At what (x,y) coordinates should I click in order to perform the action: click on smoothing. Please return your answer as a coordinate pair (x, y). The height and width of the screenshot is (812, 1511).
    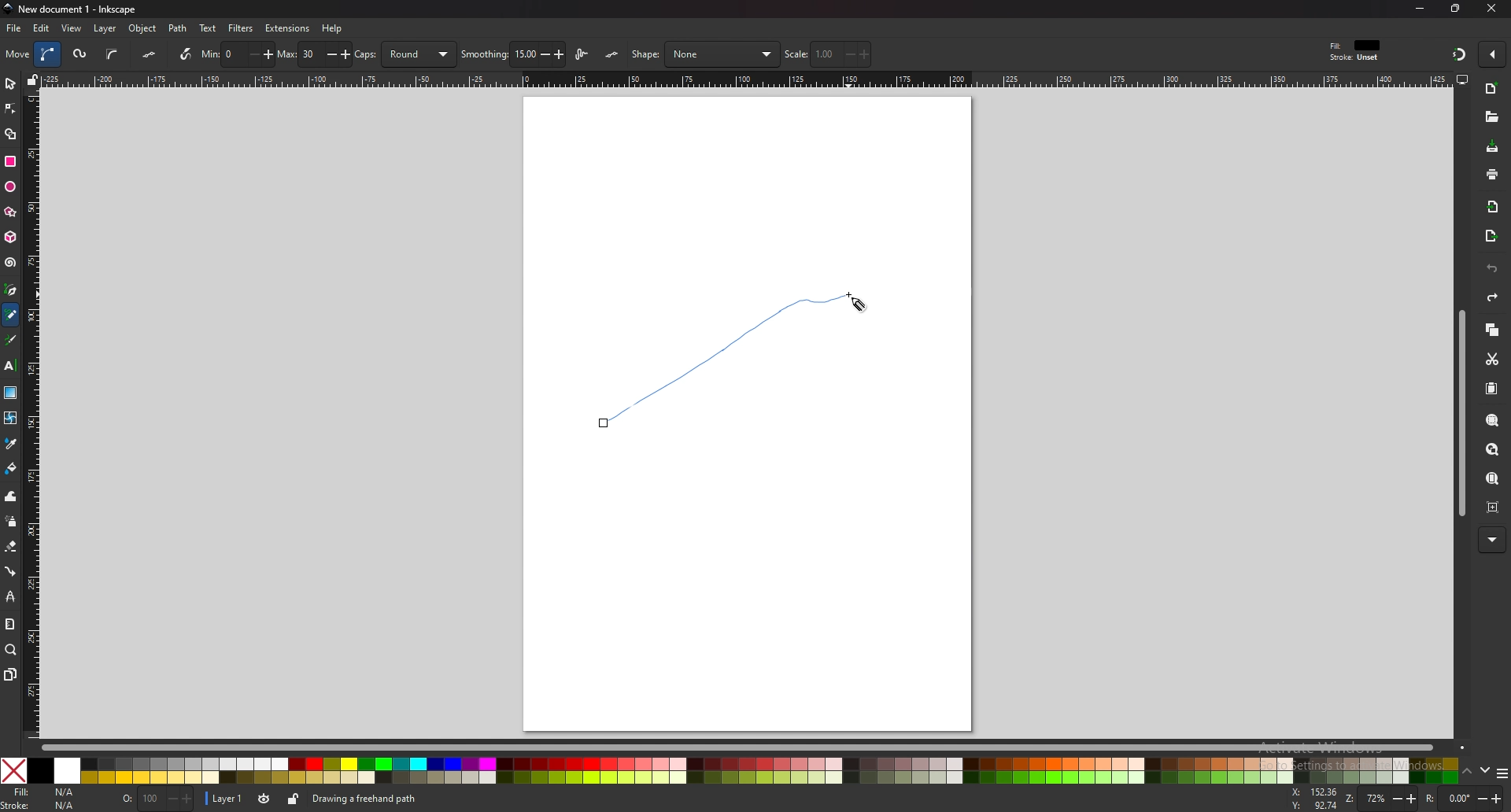
    Looking at the image, I should click on (512, 53).